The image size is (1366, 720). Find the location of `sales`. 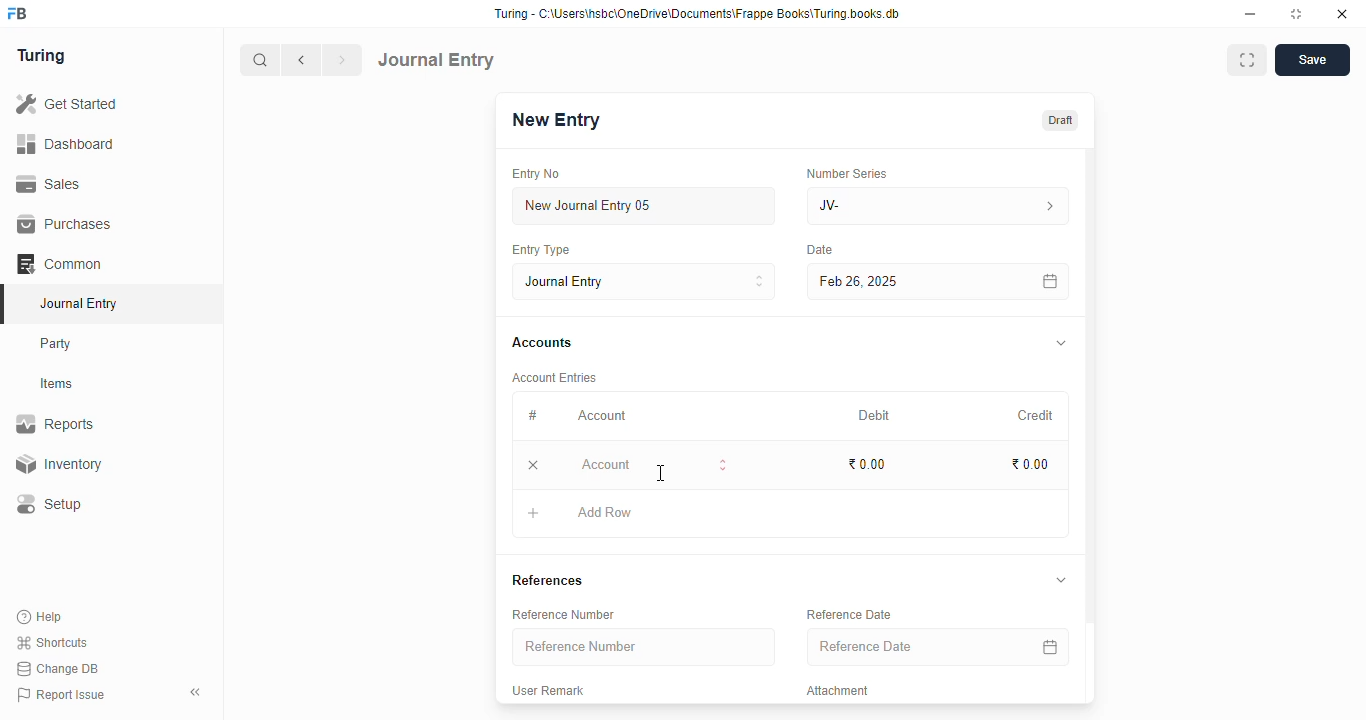

sales is located at coordinates (49, 183).